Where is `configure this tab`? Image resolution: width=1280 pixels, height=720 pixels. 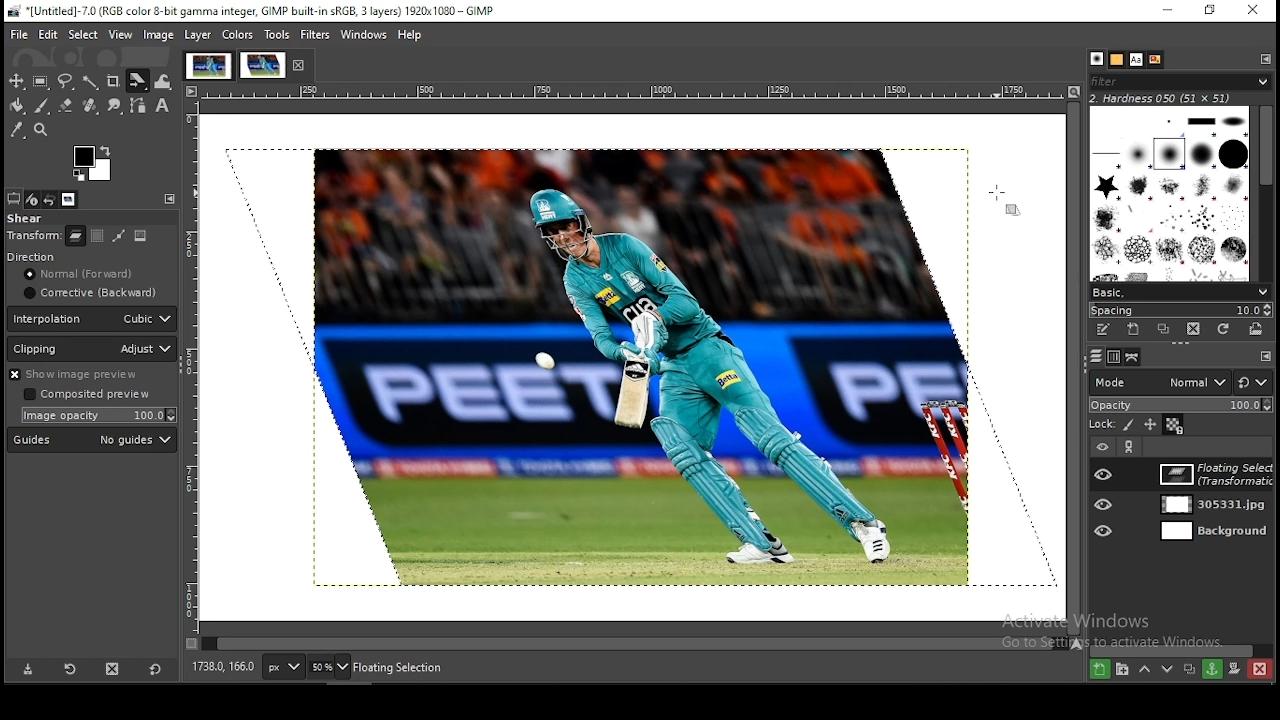 configure this tab is located at coordinates (169, 199).